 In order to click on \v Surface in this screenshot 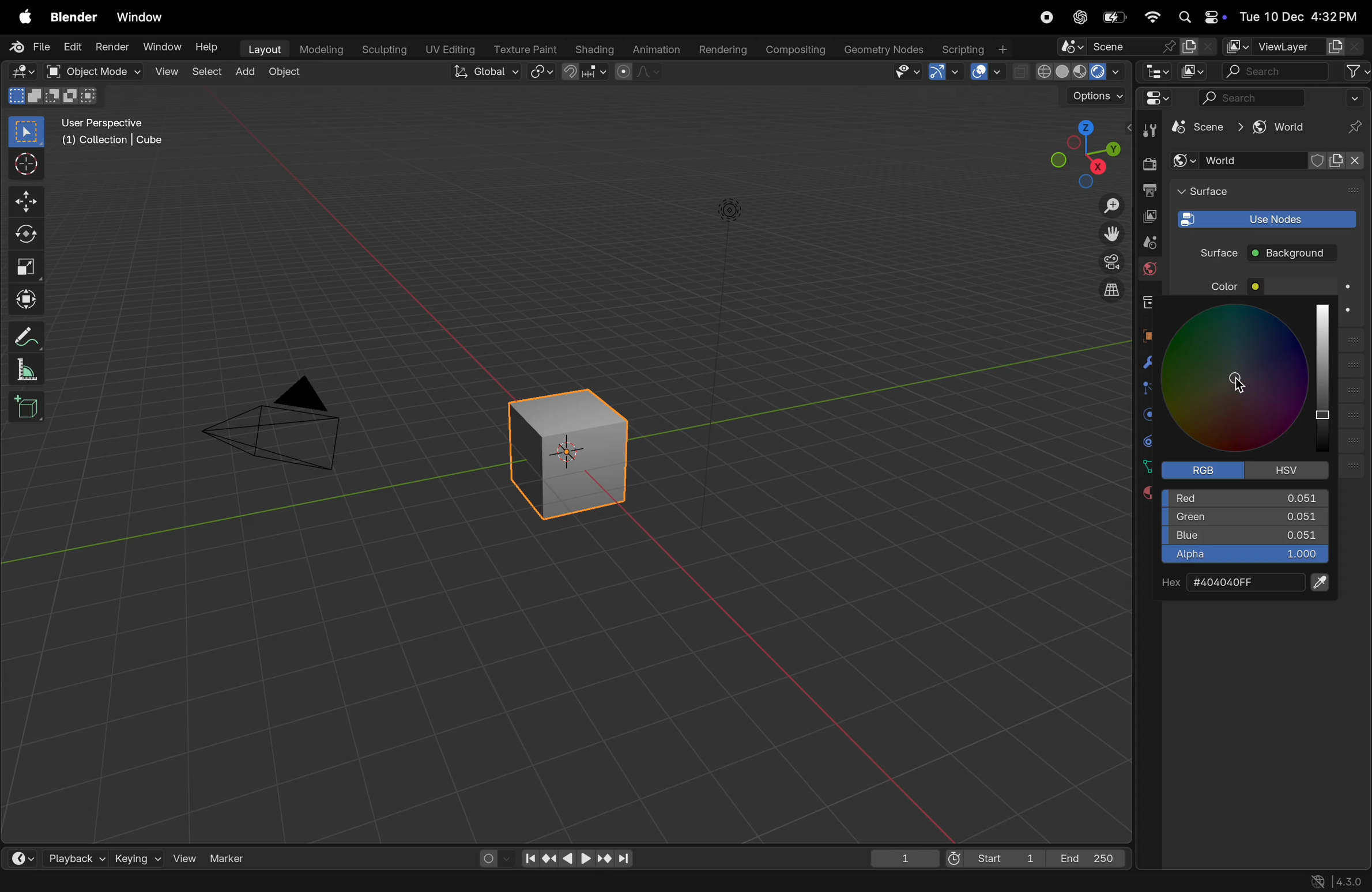, I will do `click(1255, 193)`.